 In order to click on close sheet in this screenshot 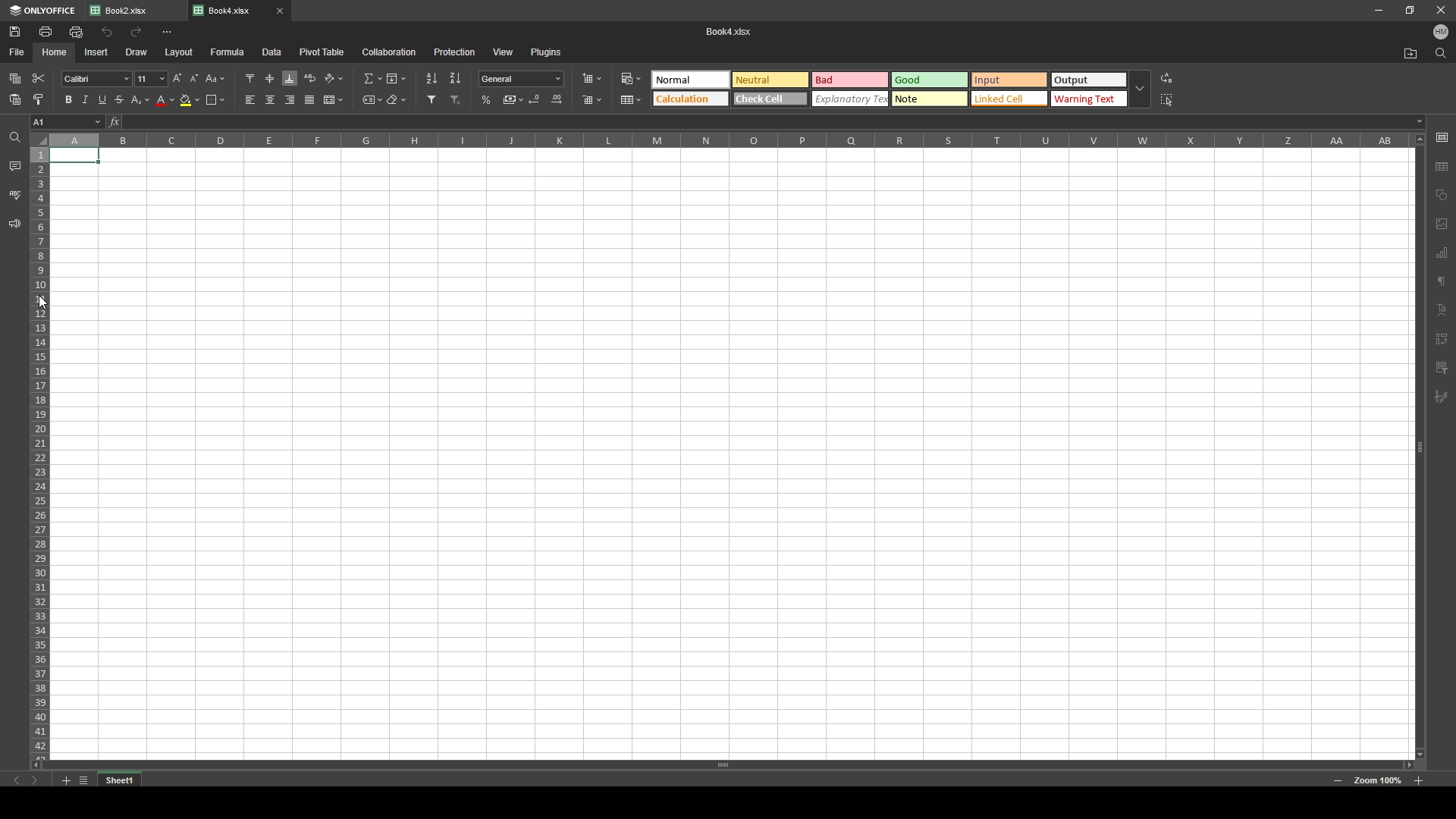, I will do `click(281, 11)`.